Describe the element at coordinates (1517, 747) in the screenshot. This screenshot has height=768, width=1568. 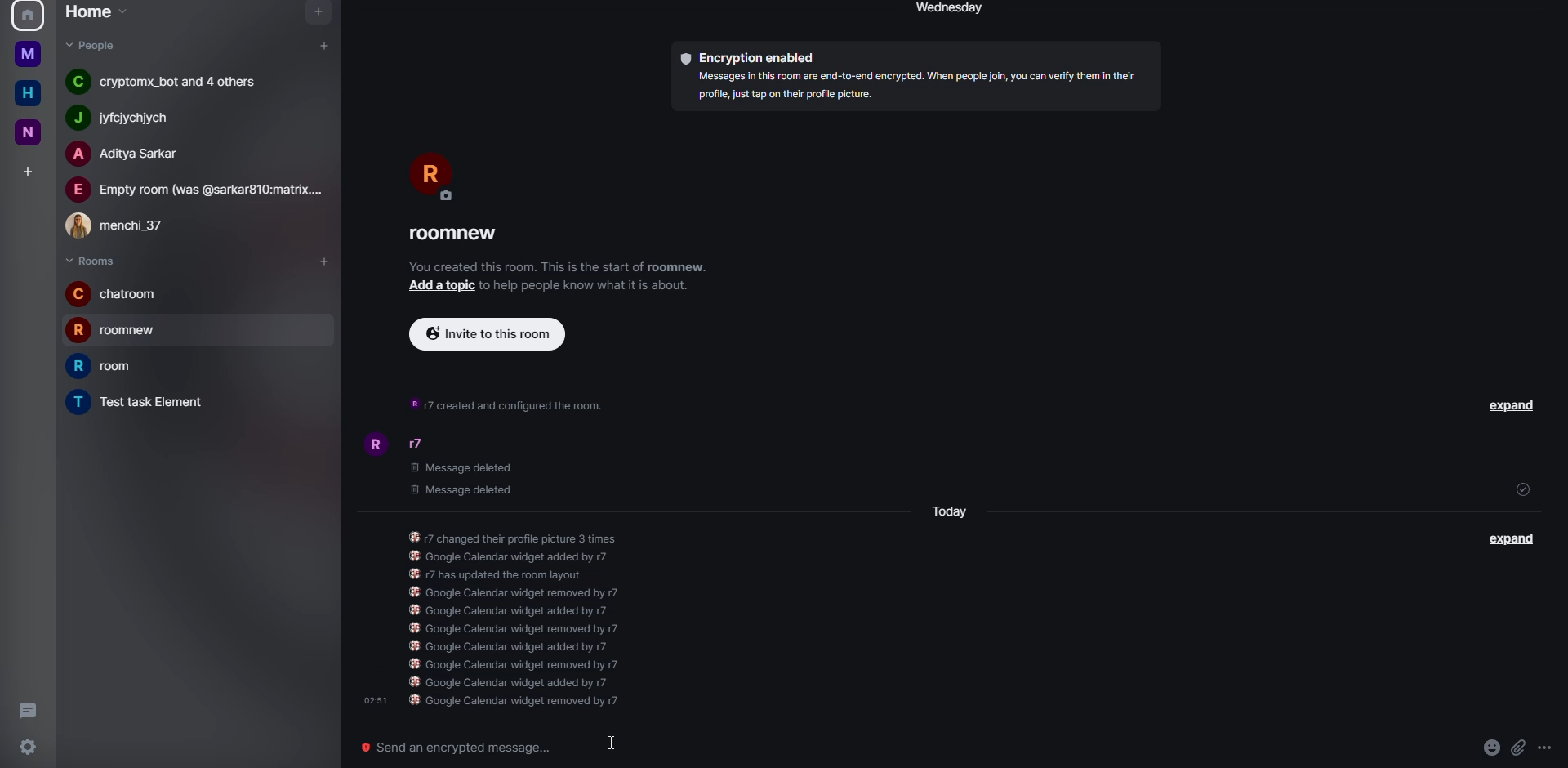
I see `attach` at that location.